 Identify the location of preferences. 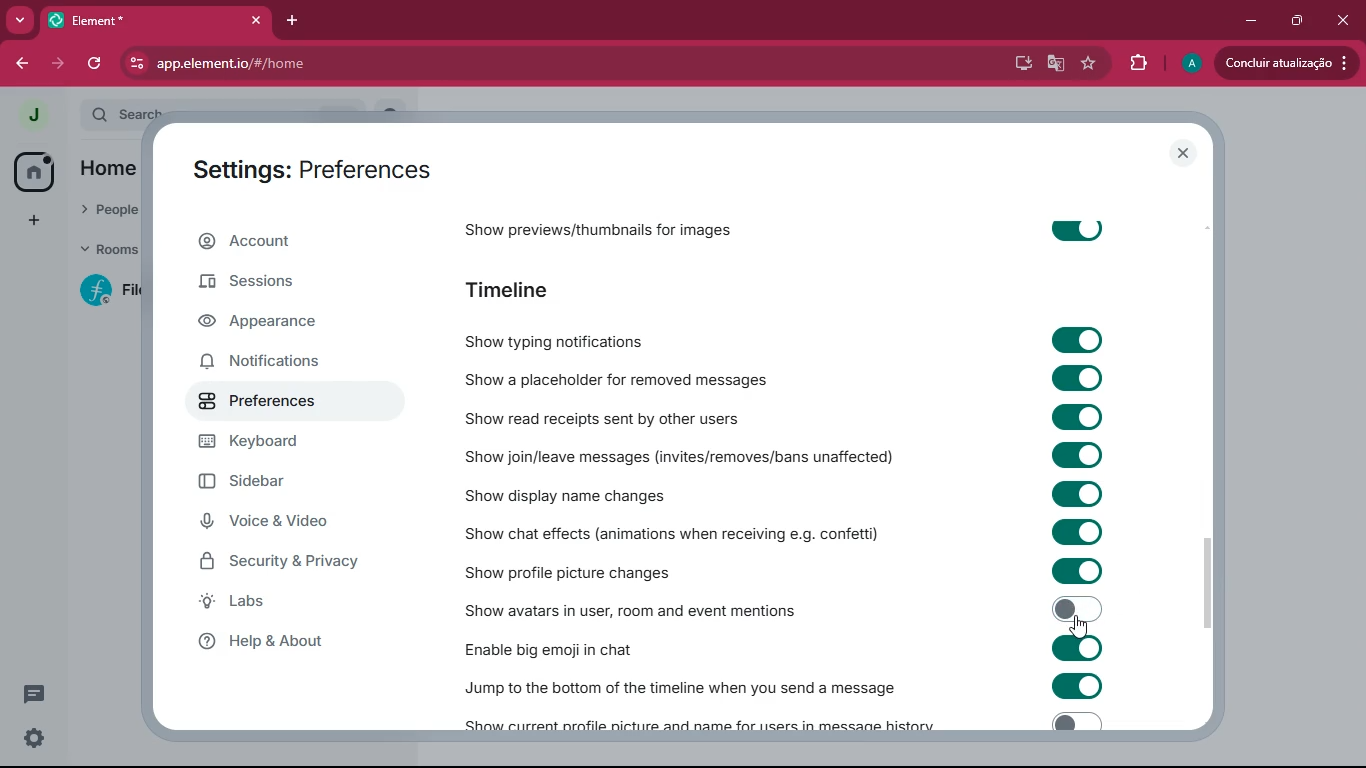
(262, 403).